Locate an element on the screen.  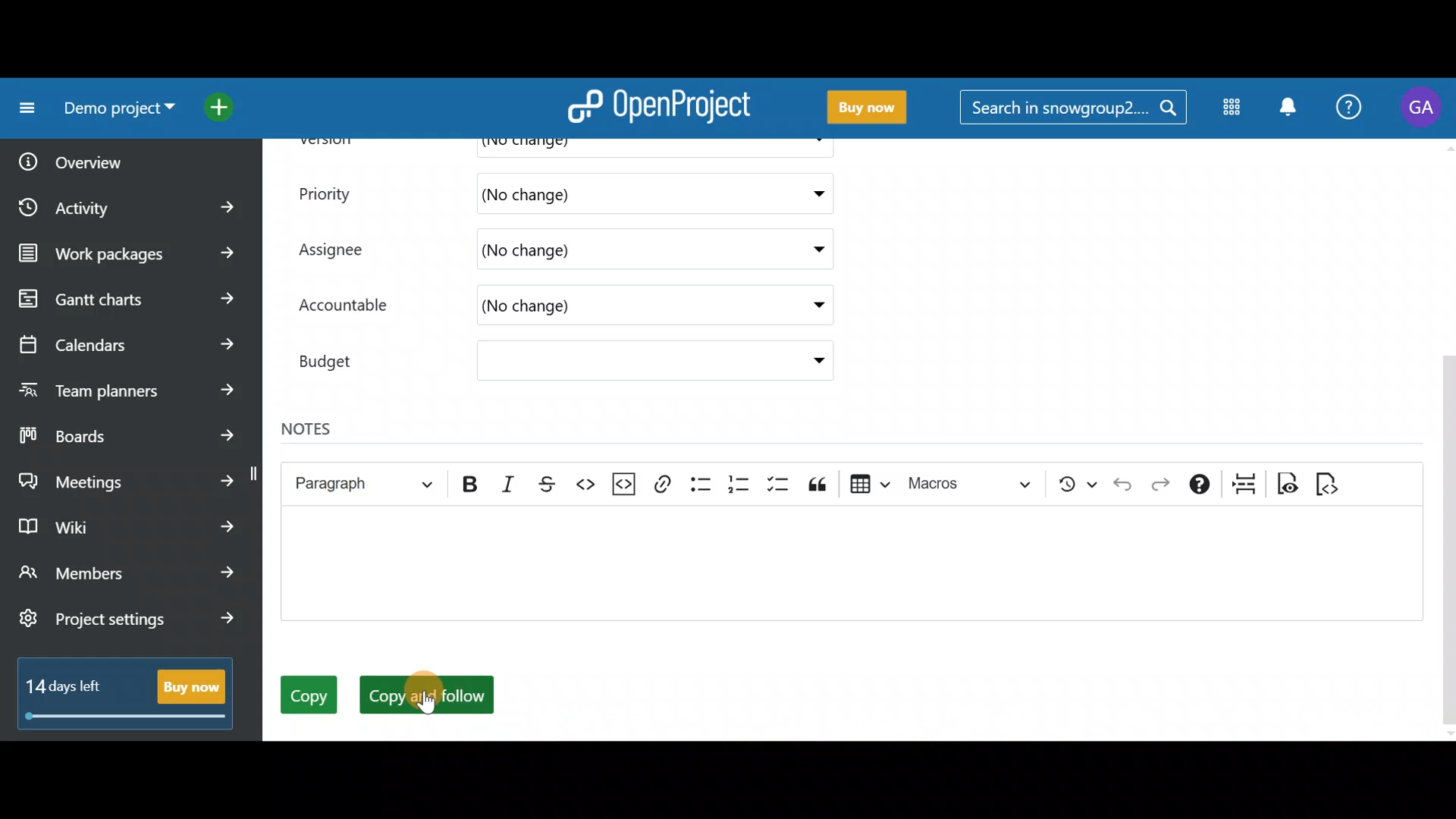
Page break is located at coordinates (1241, 488).